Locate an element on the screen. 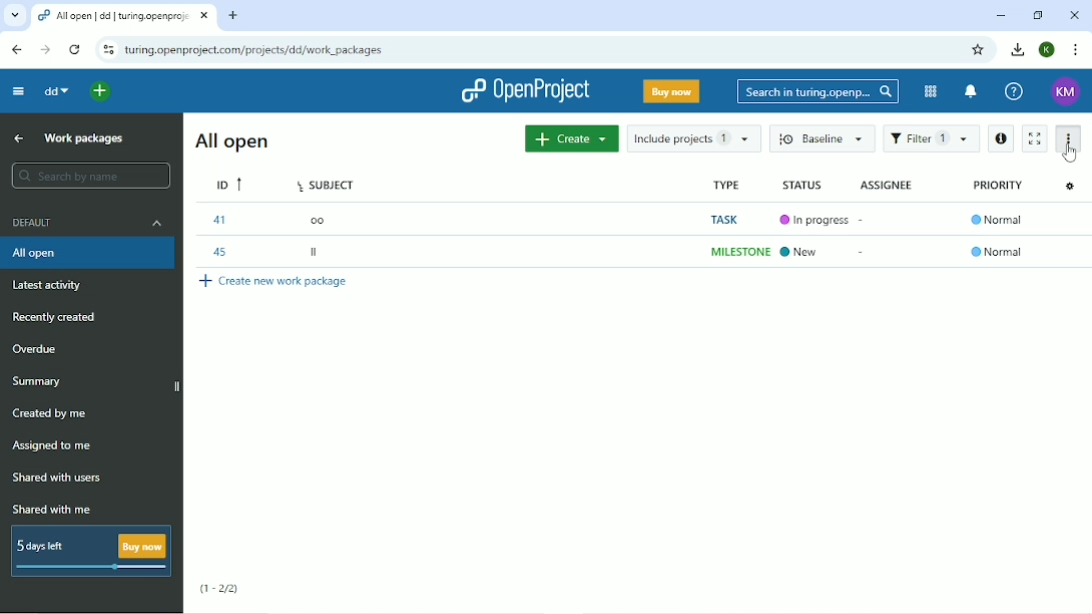 Image resolution: width=1092 pixels, height=614 pixels. Account is located at coordinates (1066, 92).